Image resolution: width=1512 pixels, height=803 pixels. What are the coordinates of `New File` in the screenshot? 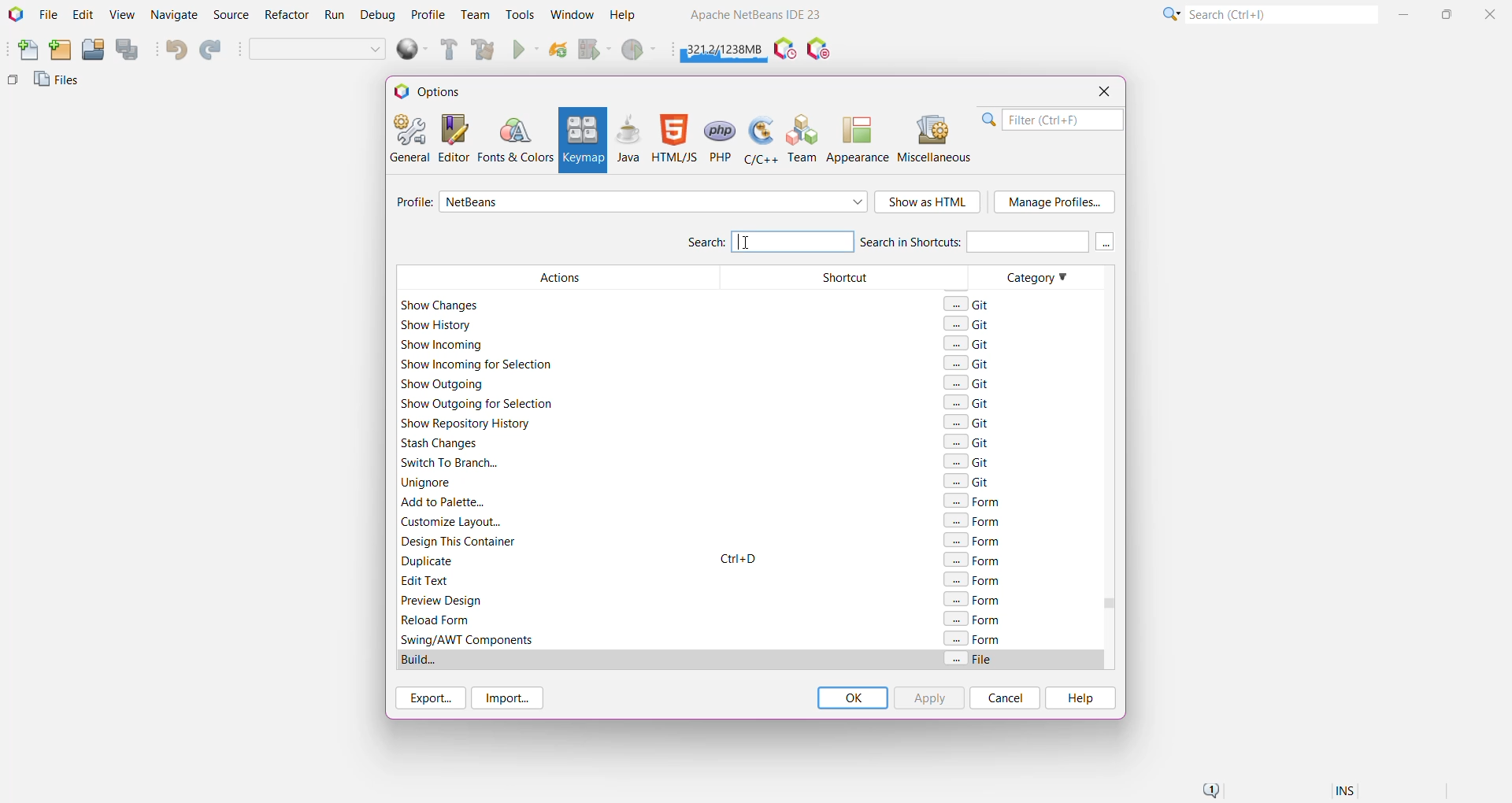 It's located at (24, 51).